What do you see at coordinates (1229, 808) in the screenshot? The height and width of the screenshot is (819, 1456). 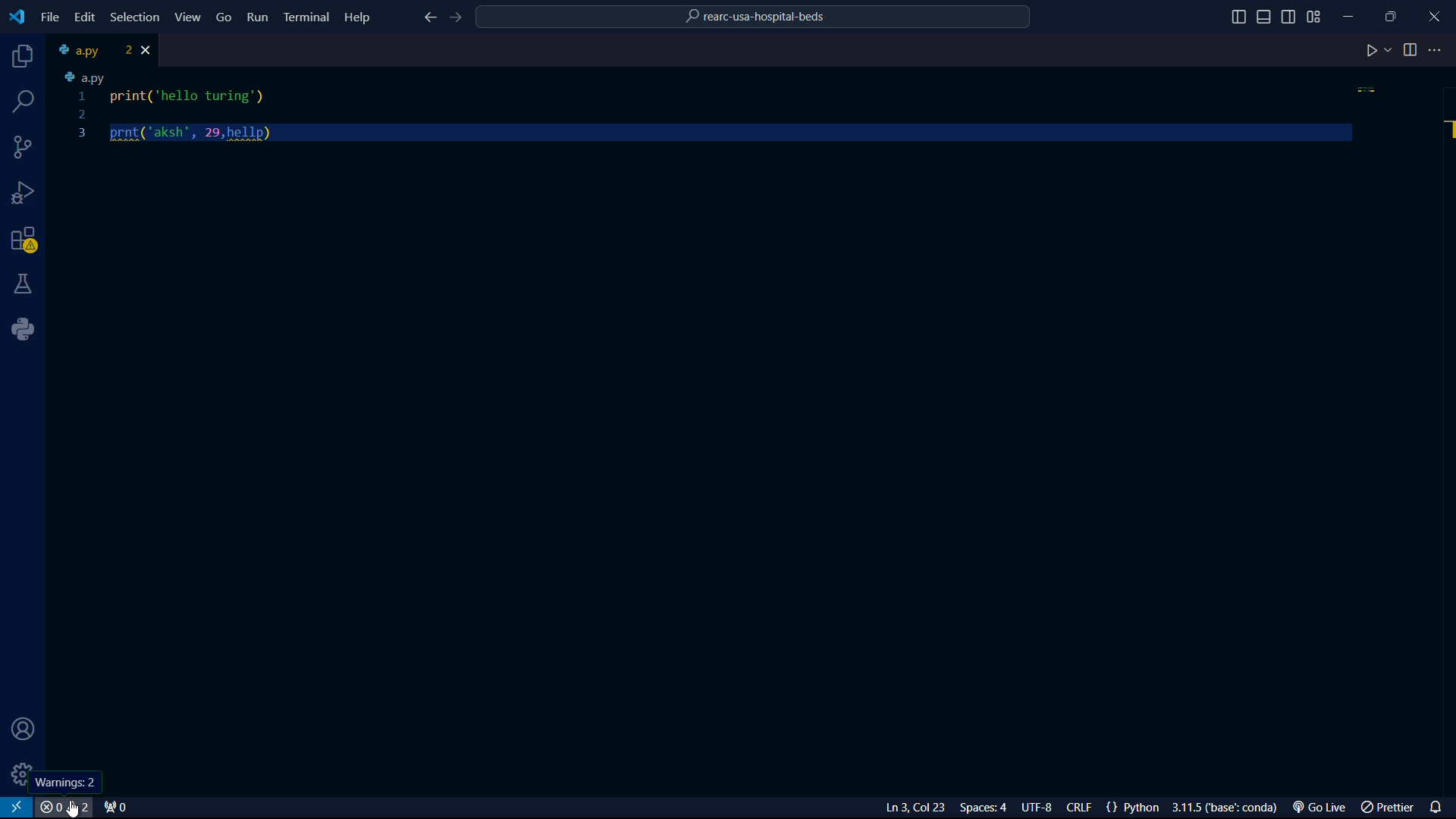 I see `3.1.5` at bounding box center [1229, 808].